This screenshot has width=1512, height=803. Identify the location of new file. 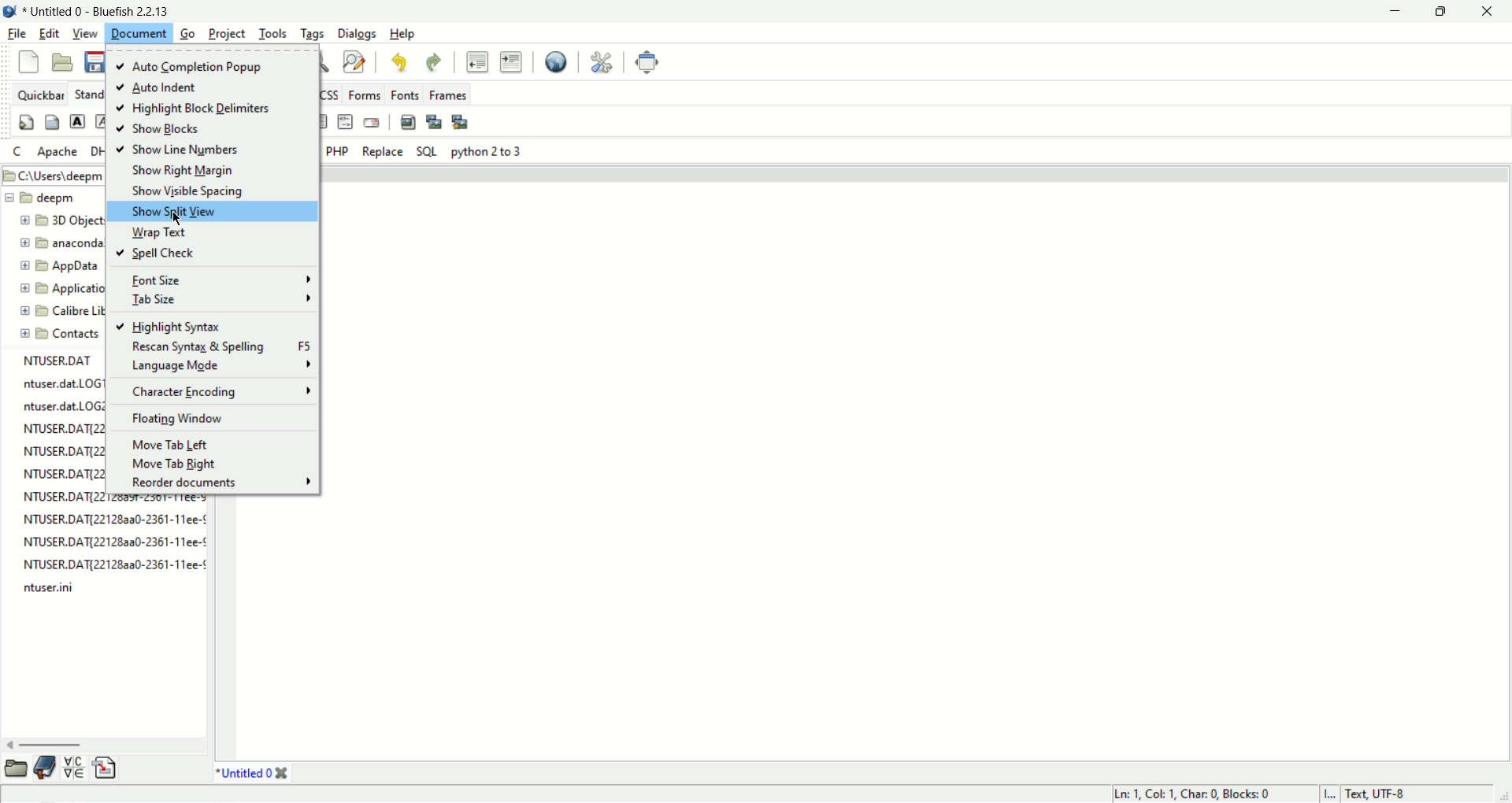
(30, 62).